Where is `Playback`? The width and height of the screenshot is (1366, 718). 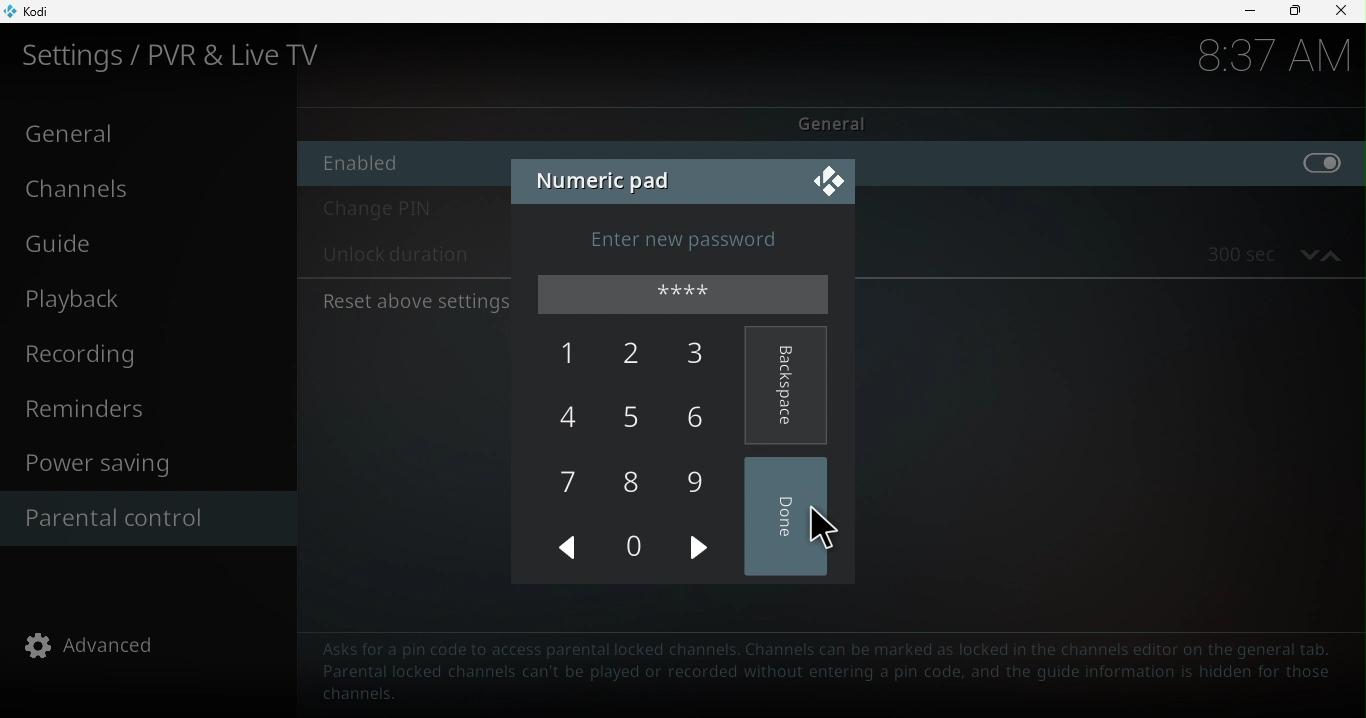
Playback is located at coordinates (138, 301).